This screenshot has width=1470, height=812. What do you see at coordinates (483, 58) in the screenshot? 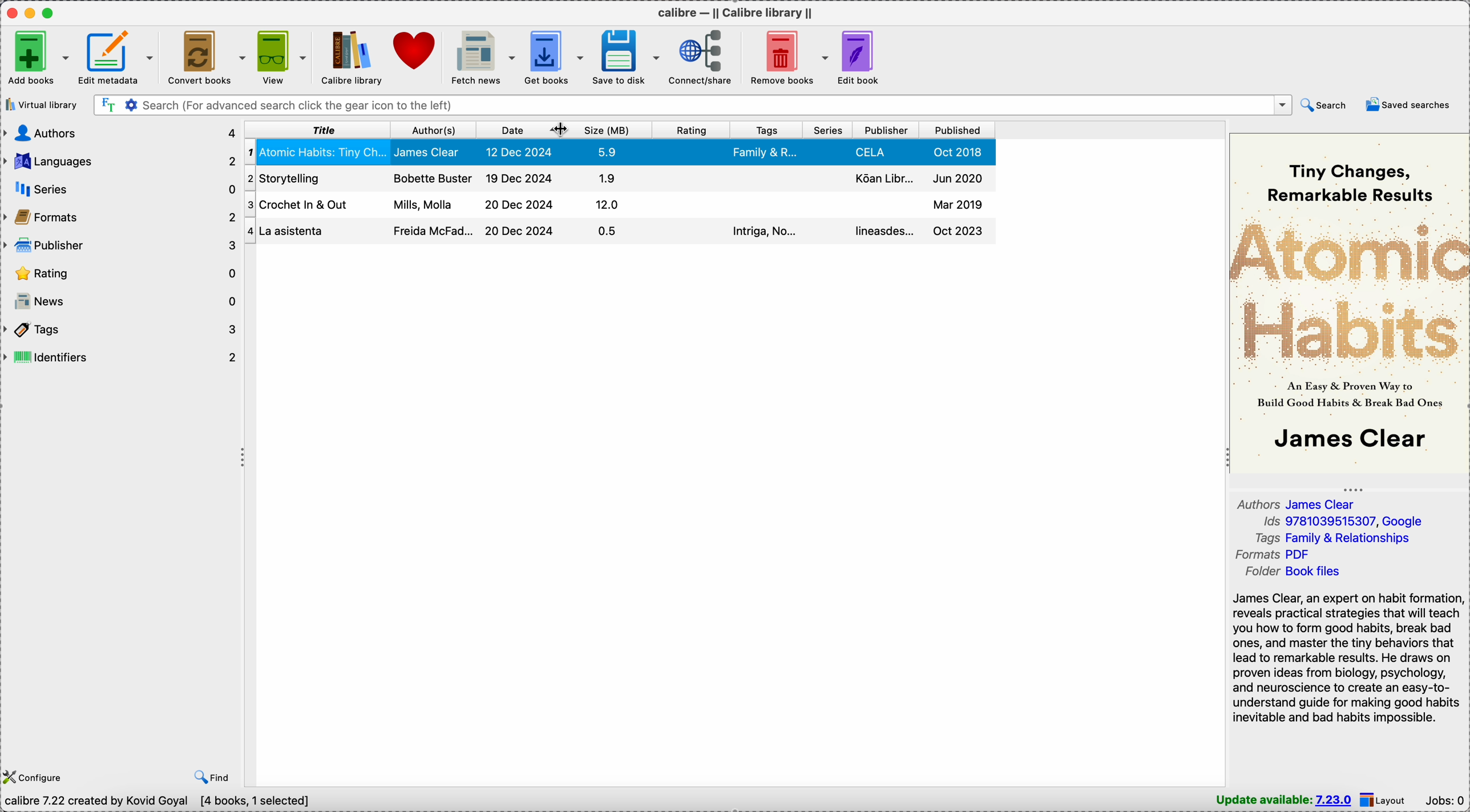
I see `fetch news` at bounding box center [483, 58].